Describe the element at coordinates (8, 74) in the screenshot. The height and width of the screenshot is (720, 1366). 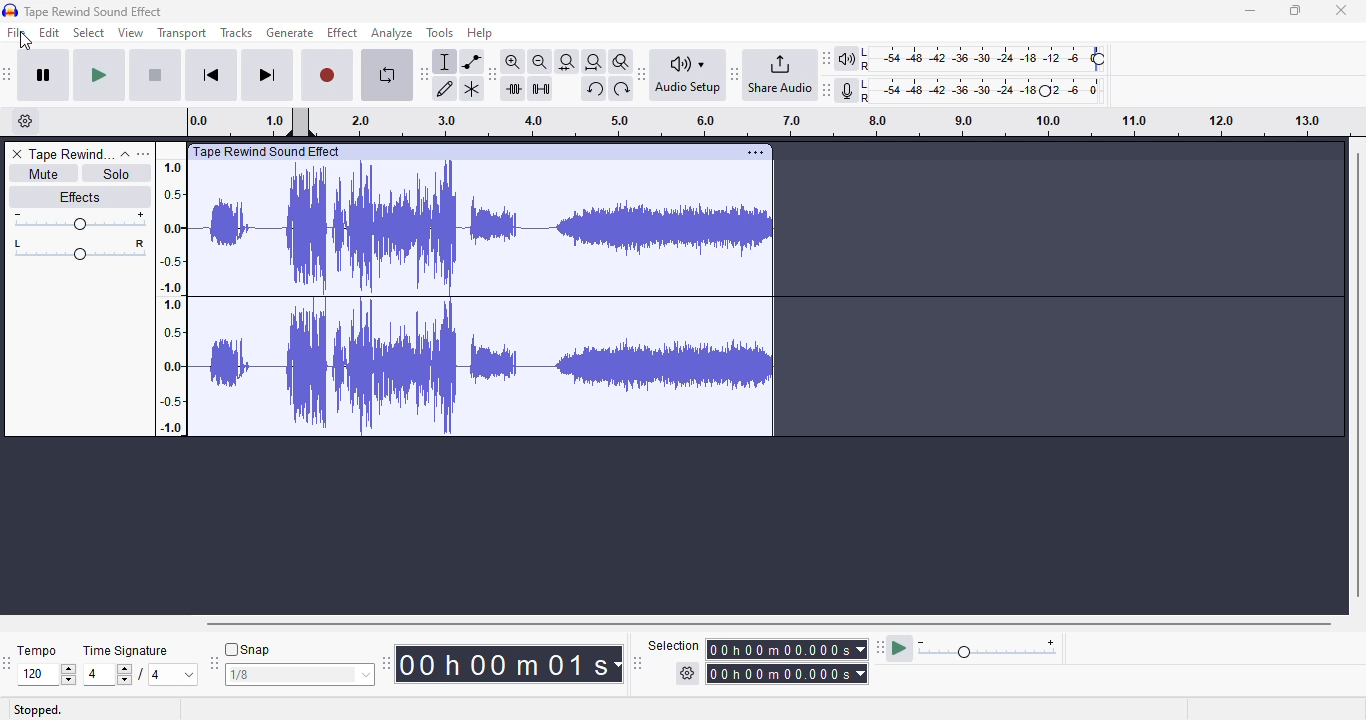
I see `audacity transport toolbar` at that location.